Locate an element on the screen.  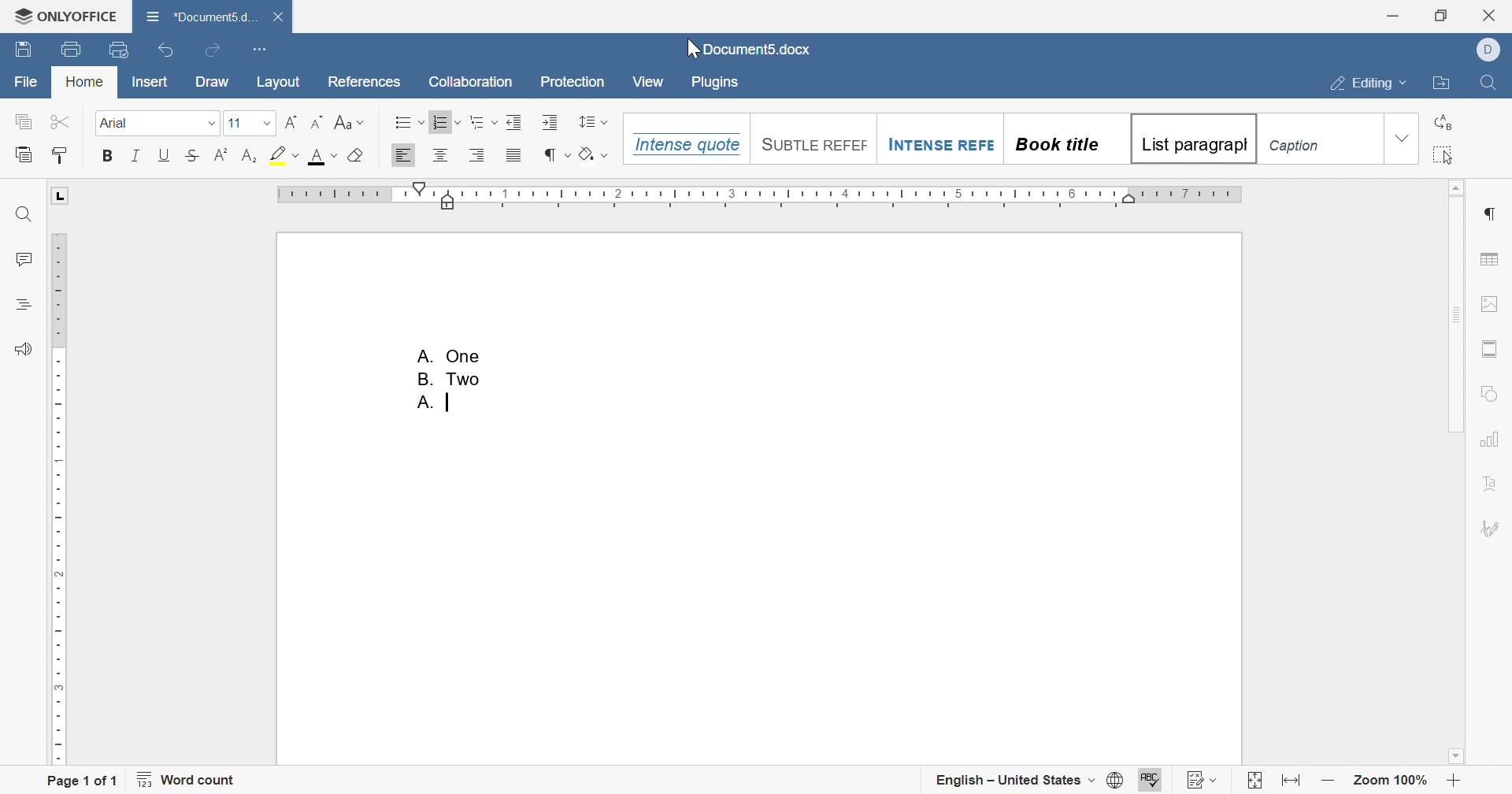
Bold is located at coordinates (108, 155).